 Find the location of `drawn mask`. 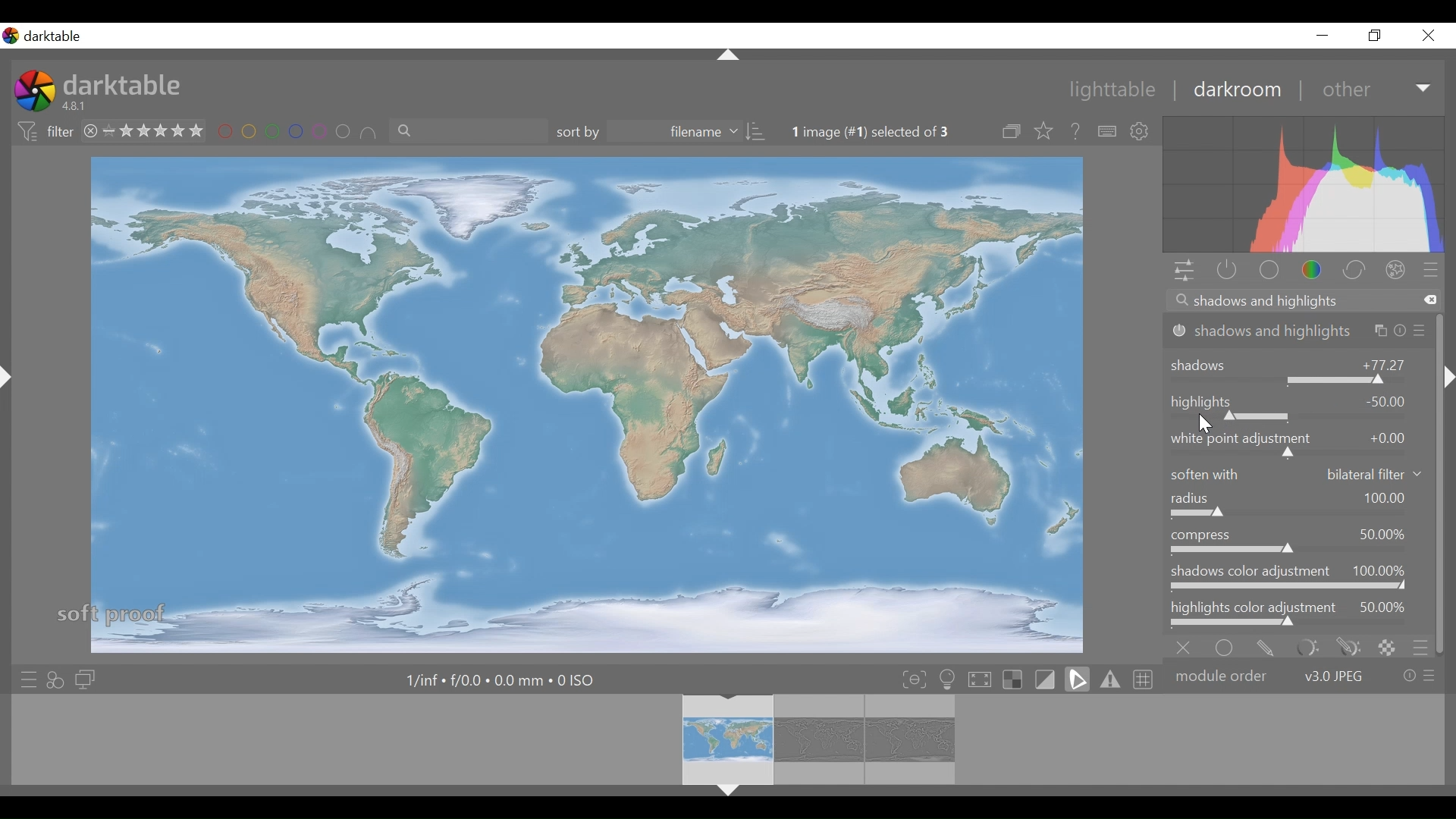

drawn mask is located at coordinates (1266, 646).